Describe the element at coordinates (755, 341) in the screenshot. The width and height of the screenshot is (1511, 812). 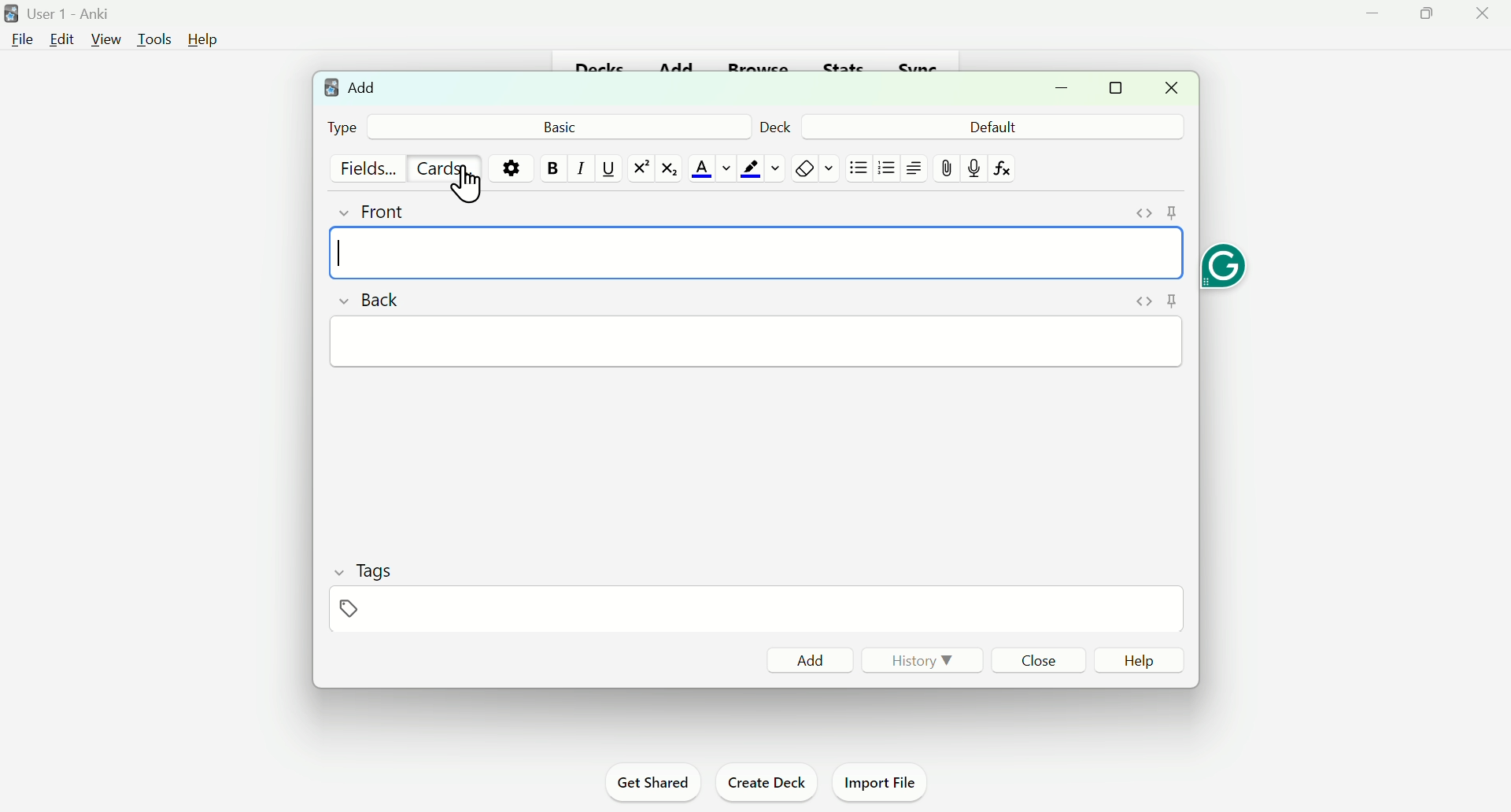
I see `type space` at that location.